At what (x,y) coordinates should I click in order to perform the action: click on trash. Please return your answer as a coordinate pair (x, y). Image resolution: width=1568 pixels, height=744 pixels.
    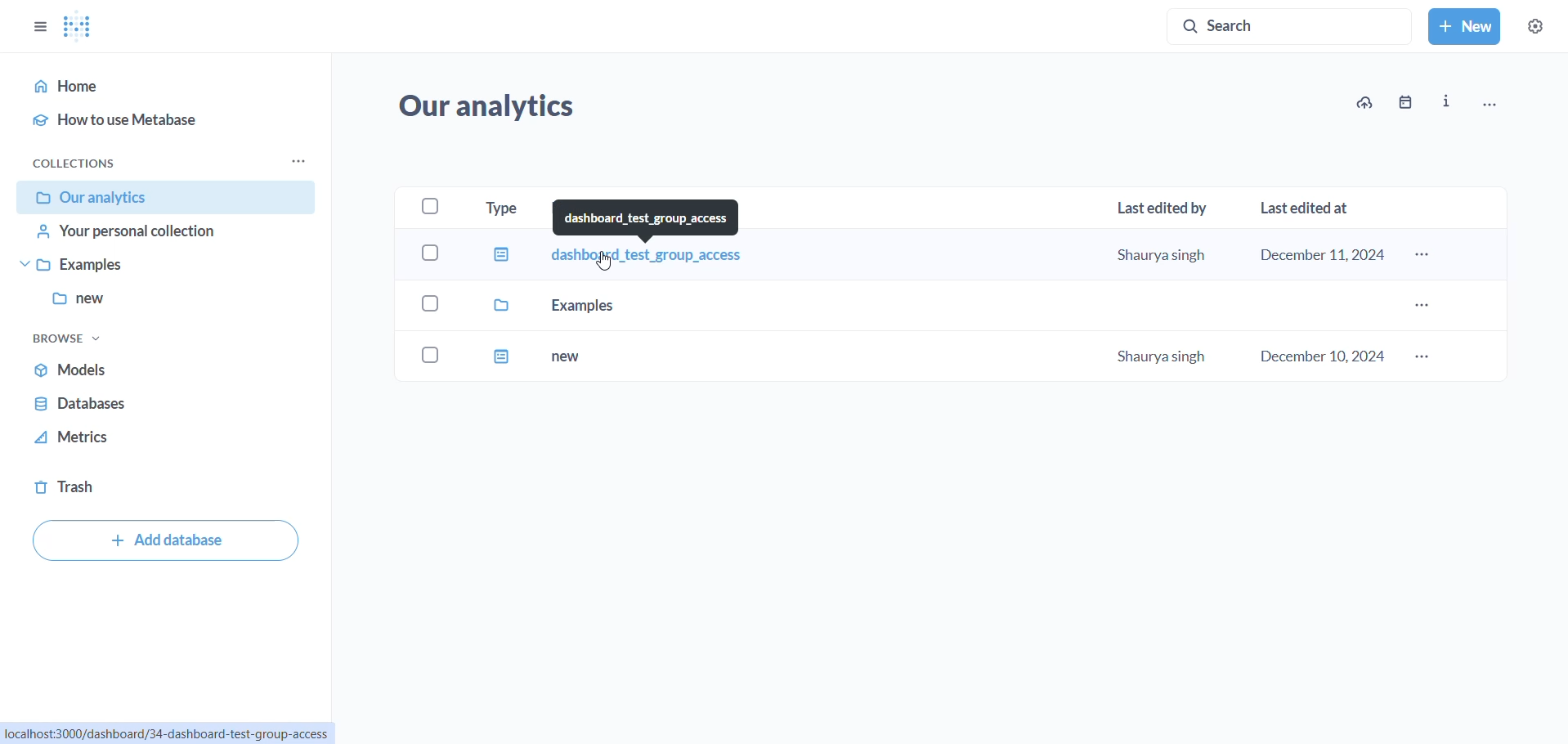
    Looking at the image, I should click on (141, 486).